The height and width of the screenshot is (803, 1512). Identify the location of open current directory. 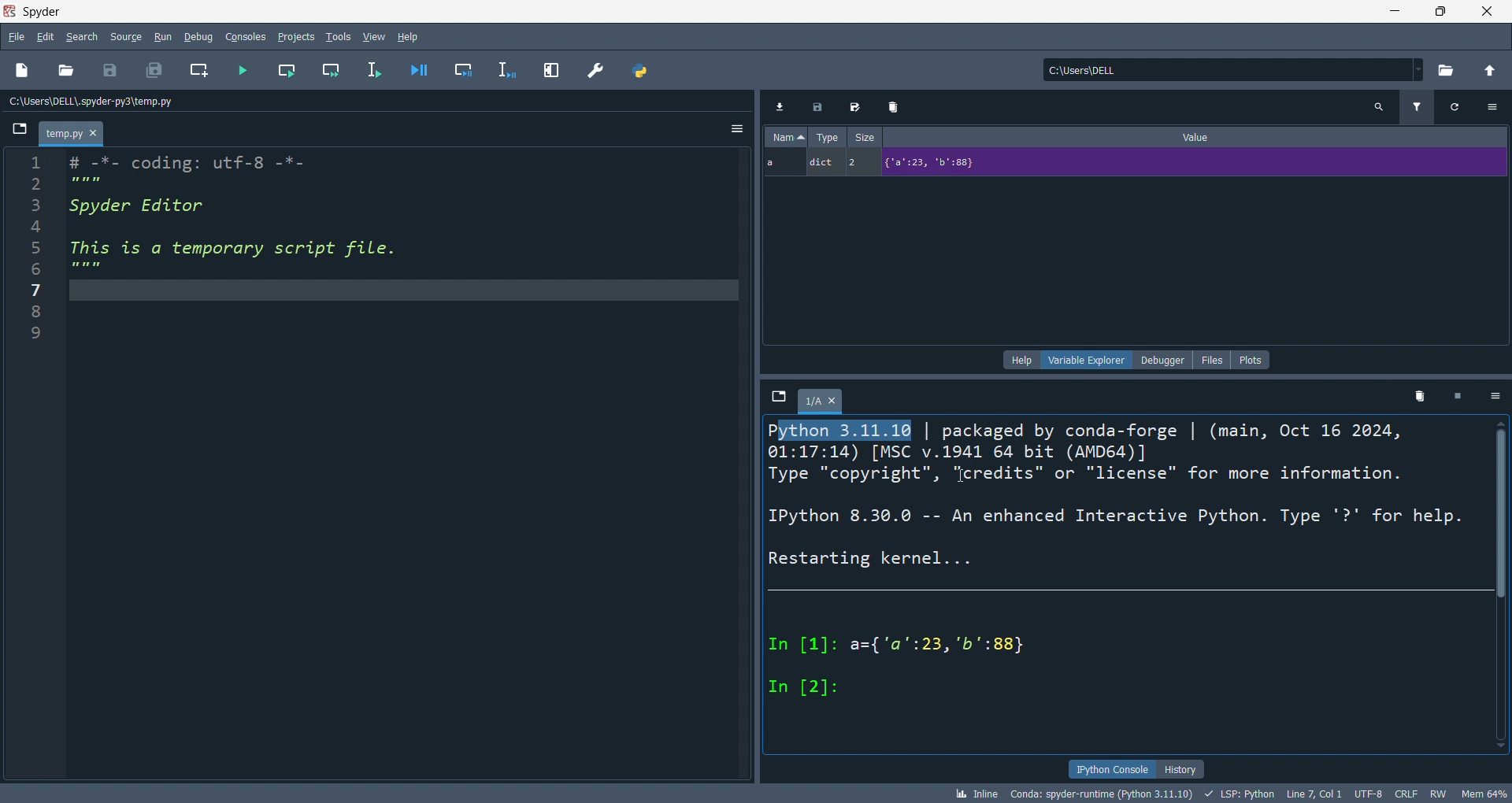
(1450, 71).